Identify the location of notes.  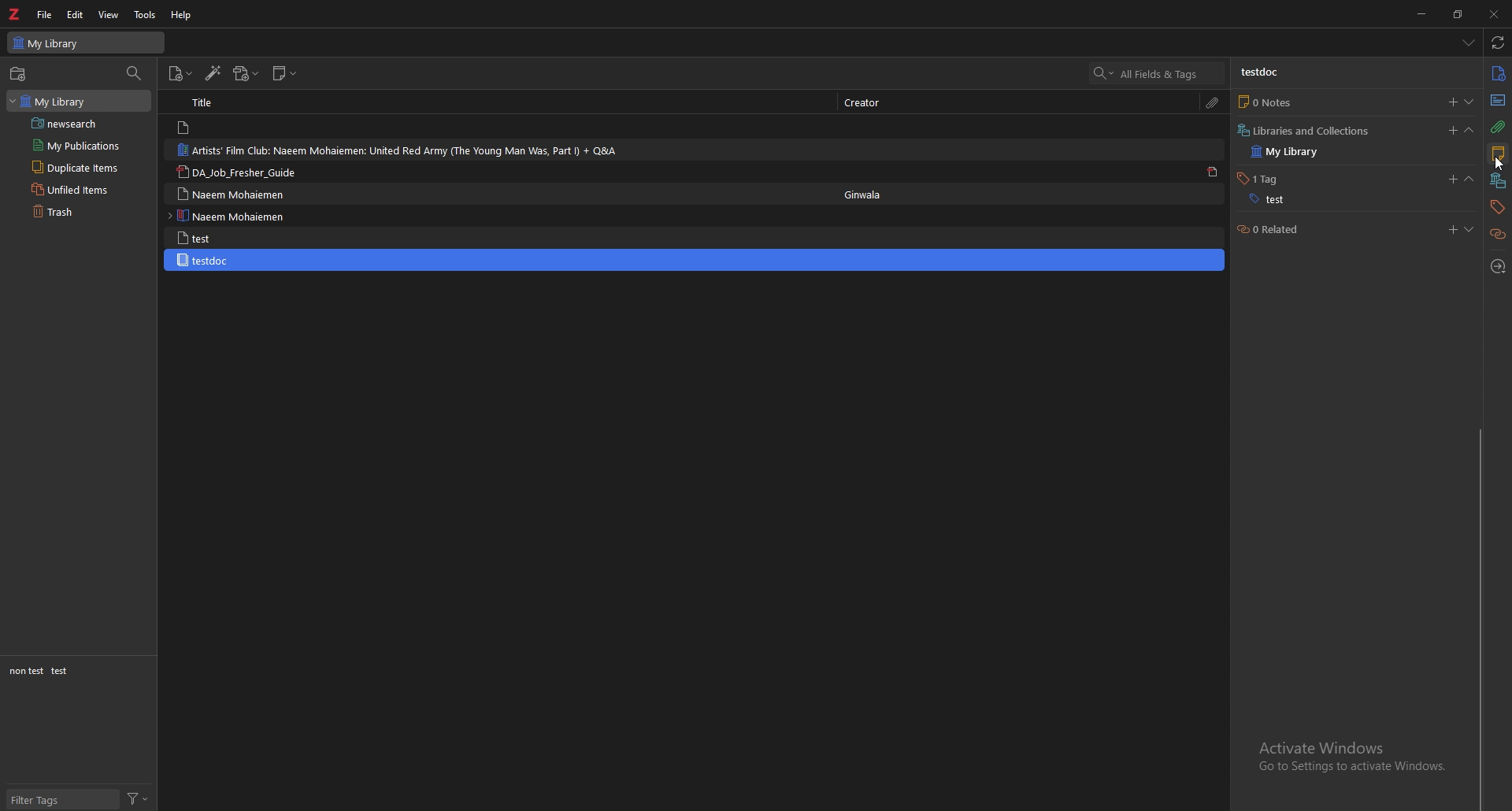
(1498, 154).